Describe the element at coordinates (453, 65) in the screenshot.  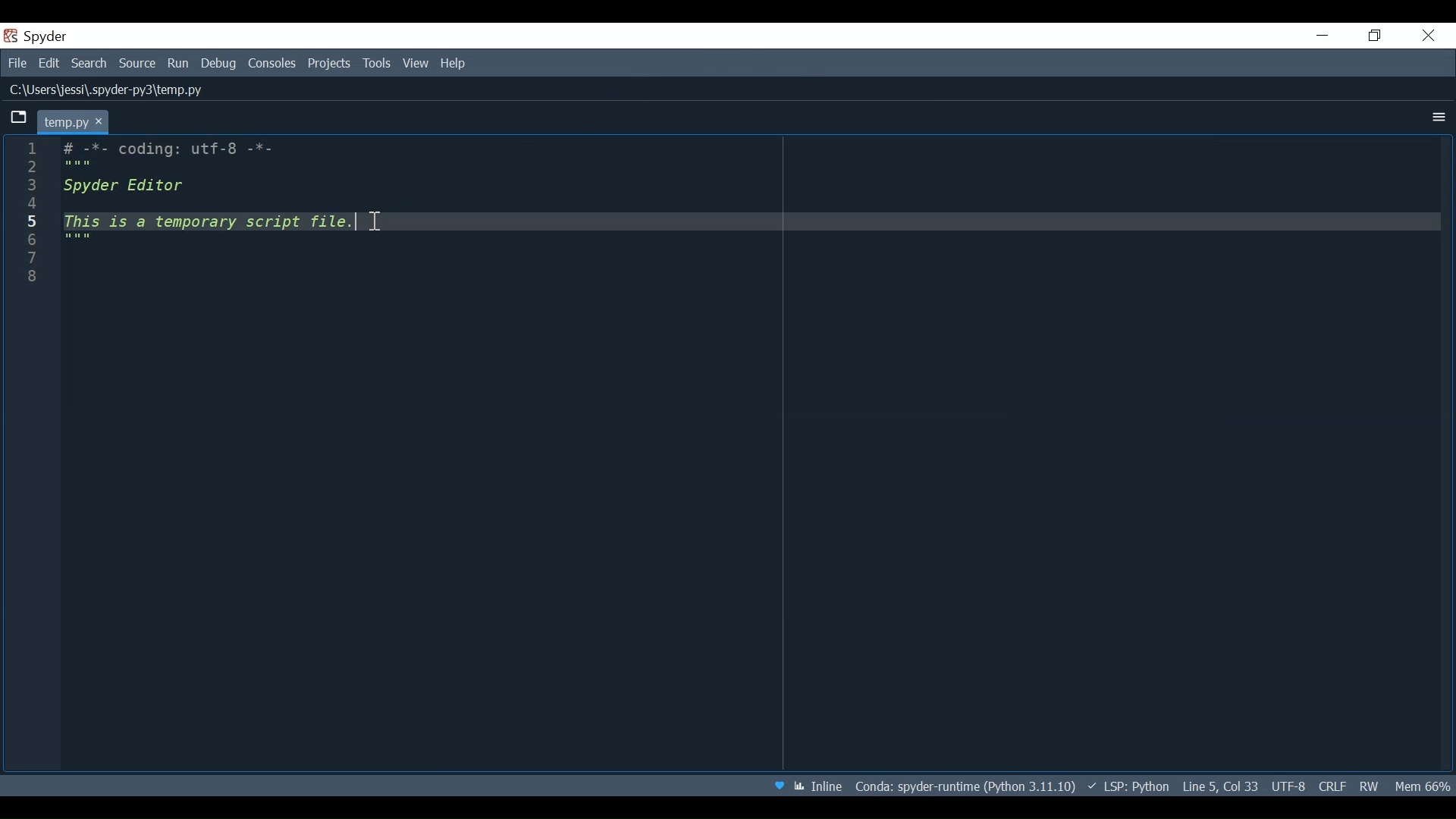
I see `Help` at that location.